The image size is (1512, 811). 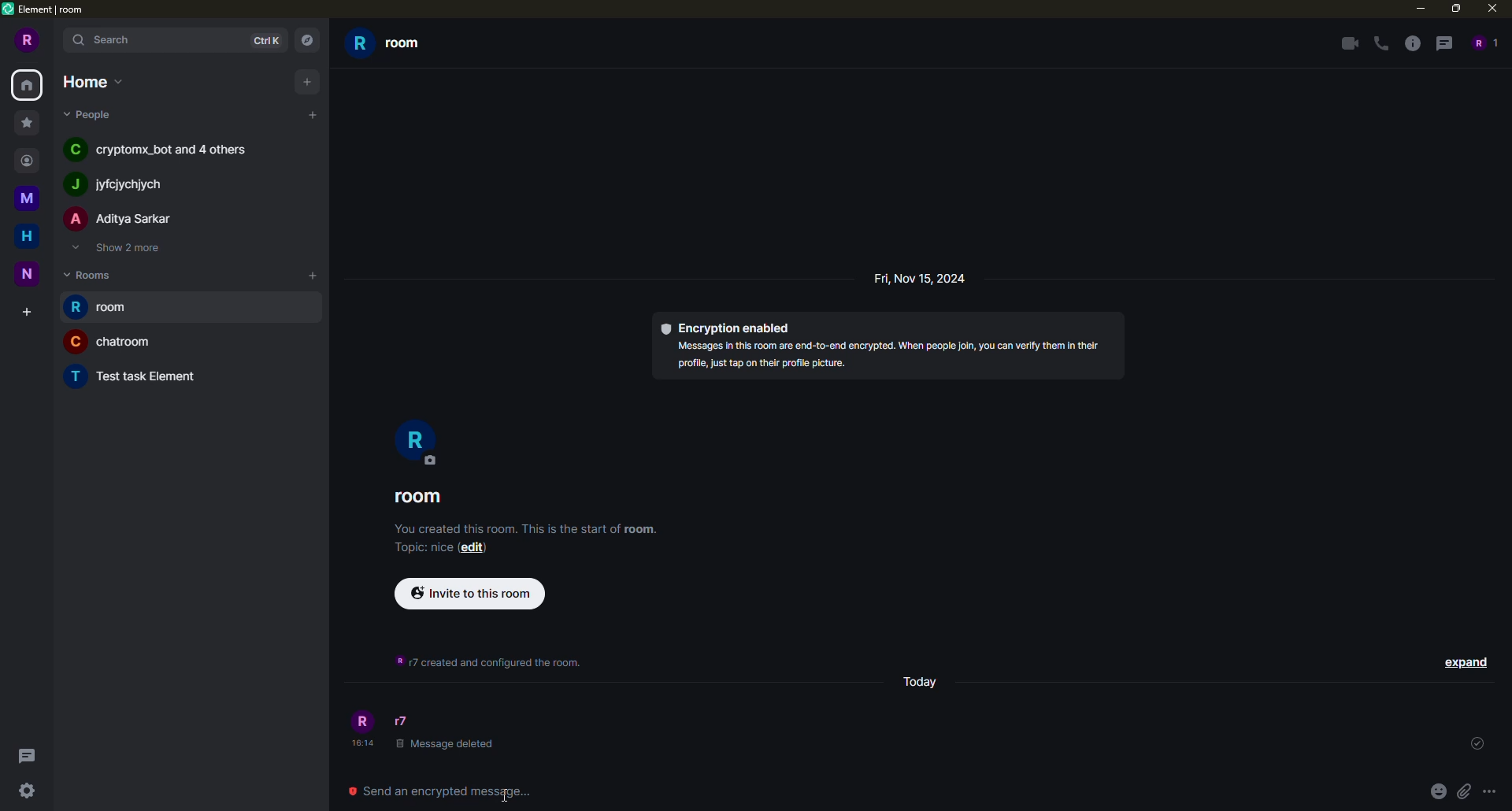 What do you see at coordinates (26, 42) in the screenshot?
I see `profile` at bounding box center [26, 42].